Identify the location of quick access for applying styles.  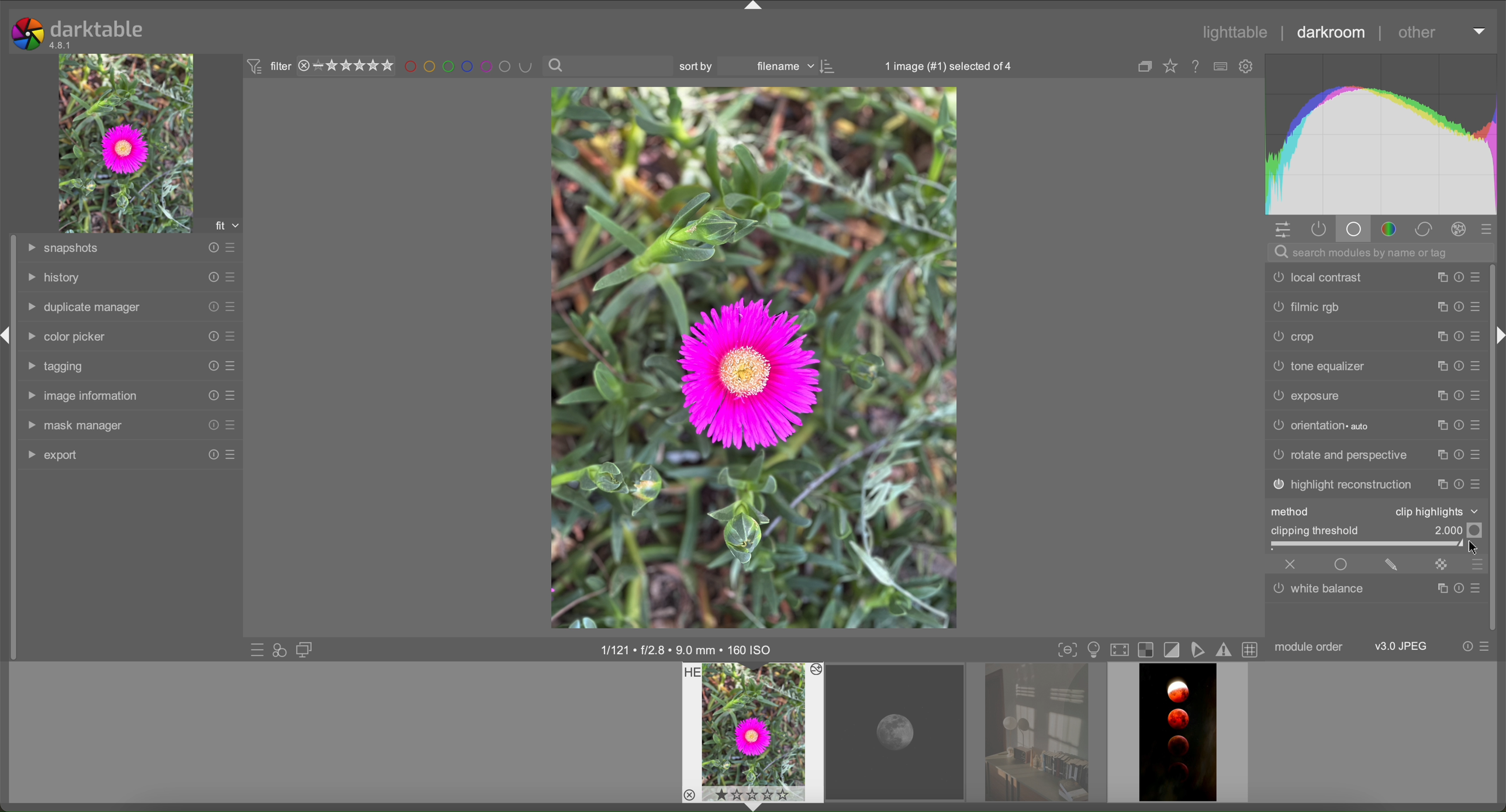
(281, 649).